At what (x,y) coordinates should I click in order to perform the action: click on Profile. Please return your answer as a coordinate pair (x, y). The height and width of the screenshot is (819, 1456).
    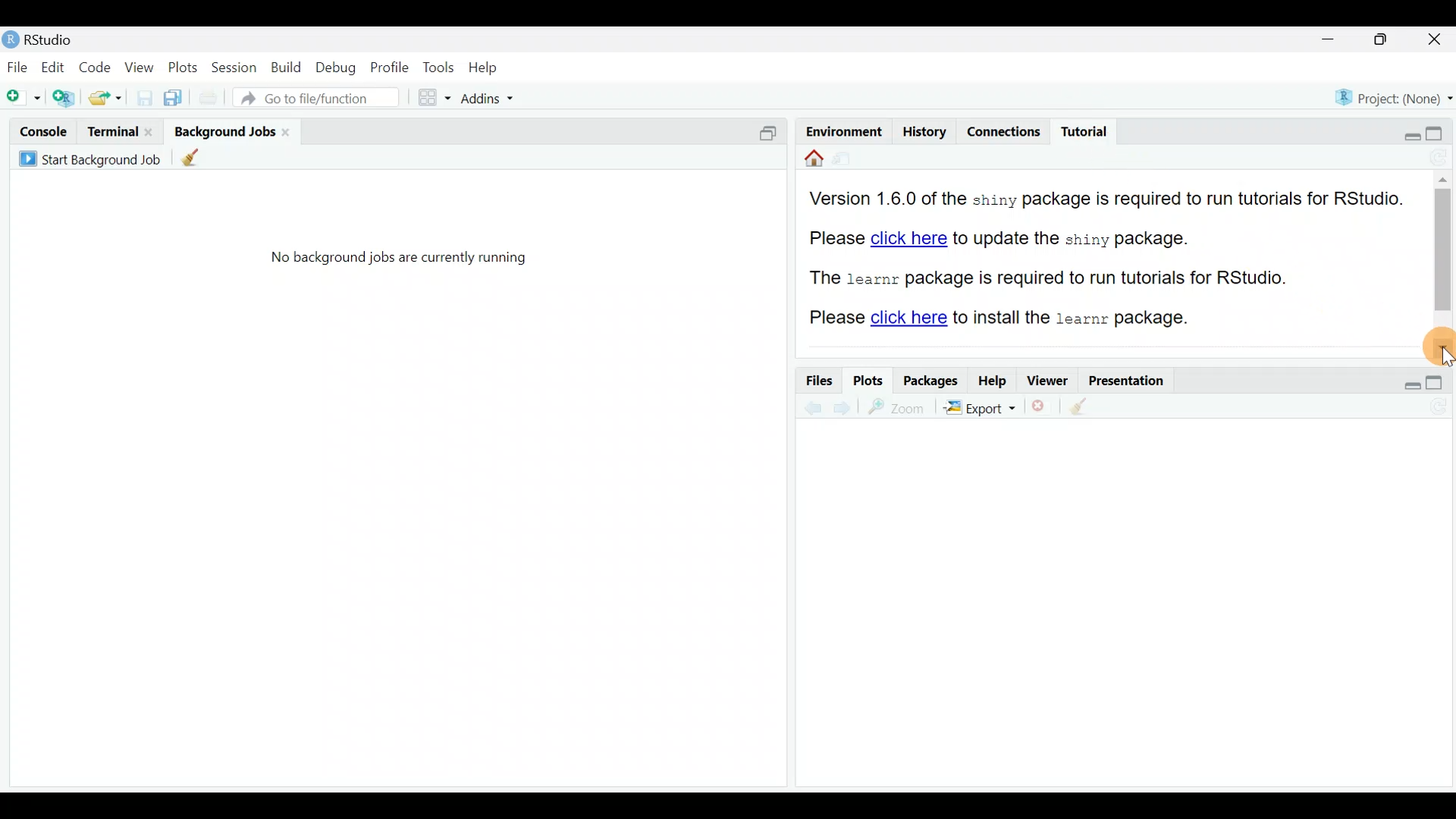
    Looking at the image, I should click on (390, 69).